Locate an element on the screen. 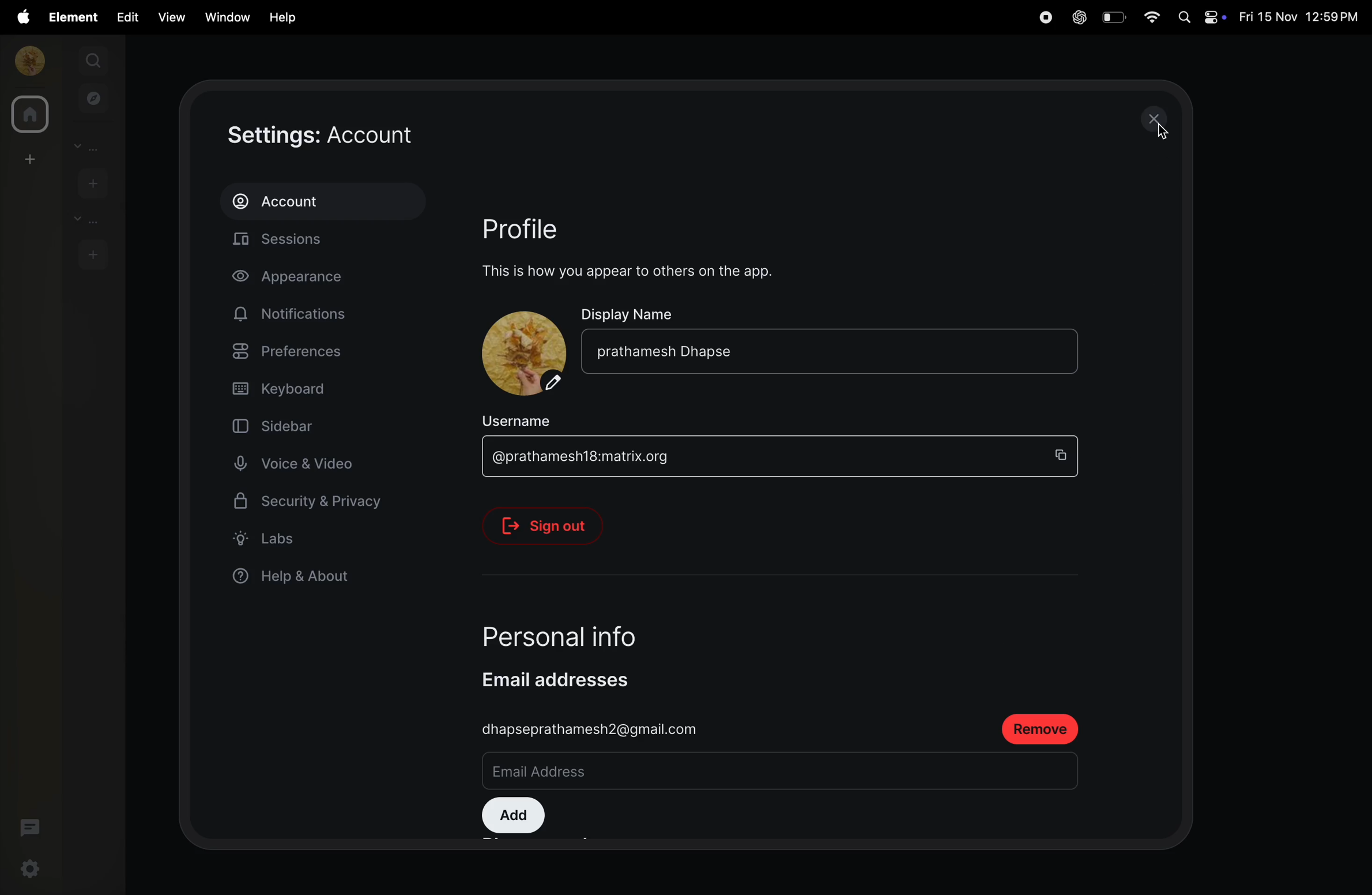  explore is located at coordinates (94, 97).